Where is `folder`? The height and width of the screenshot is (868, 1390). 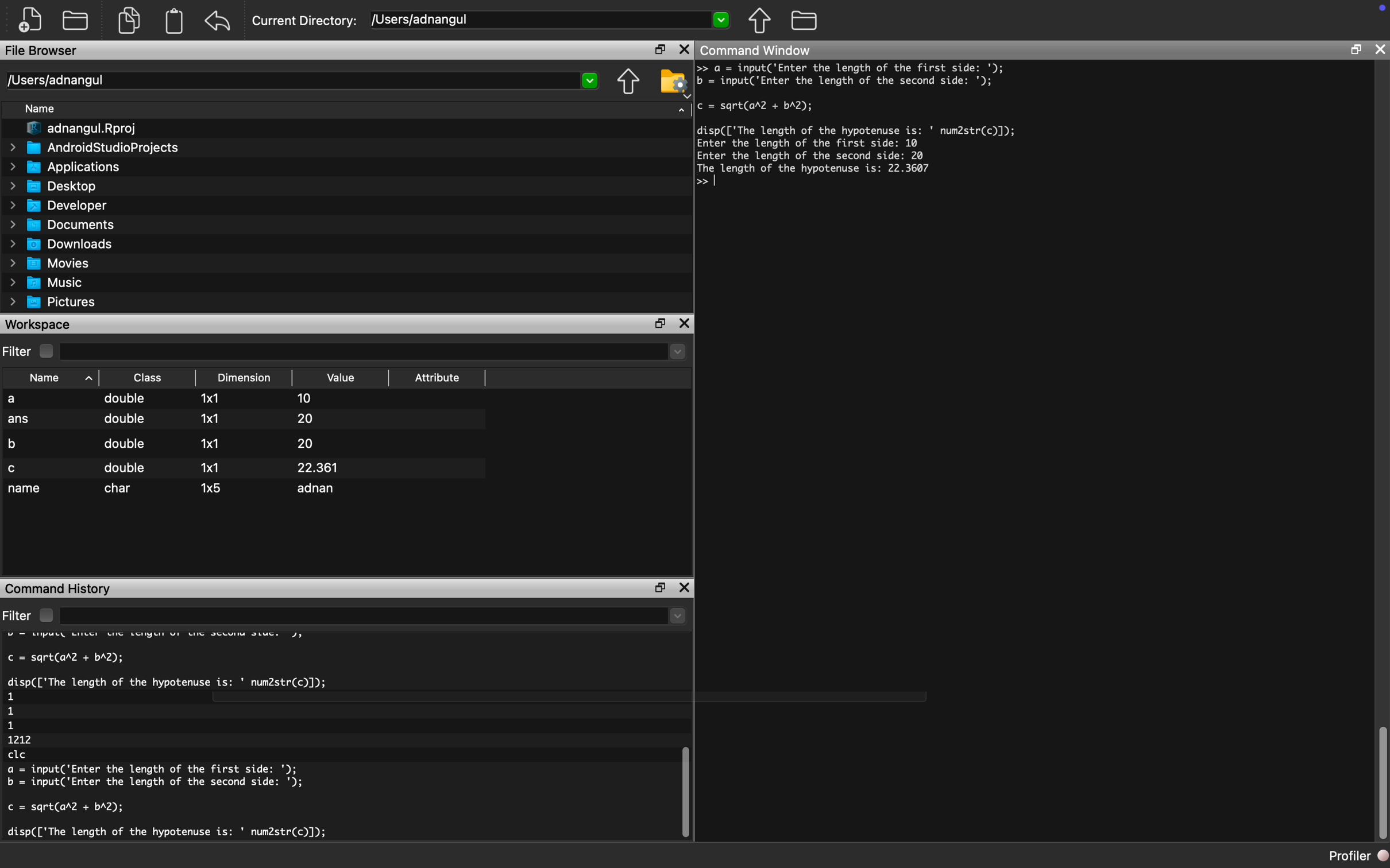 folder is located at coordinates (804, 19).